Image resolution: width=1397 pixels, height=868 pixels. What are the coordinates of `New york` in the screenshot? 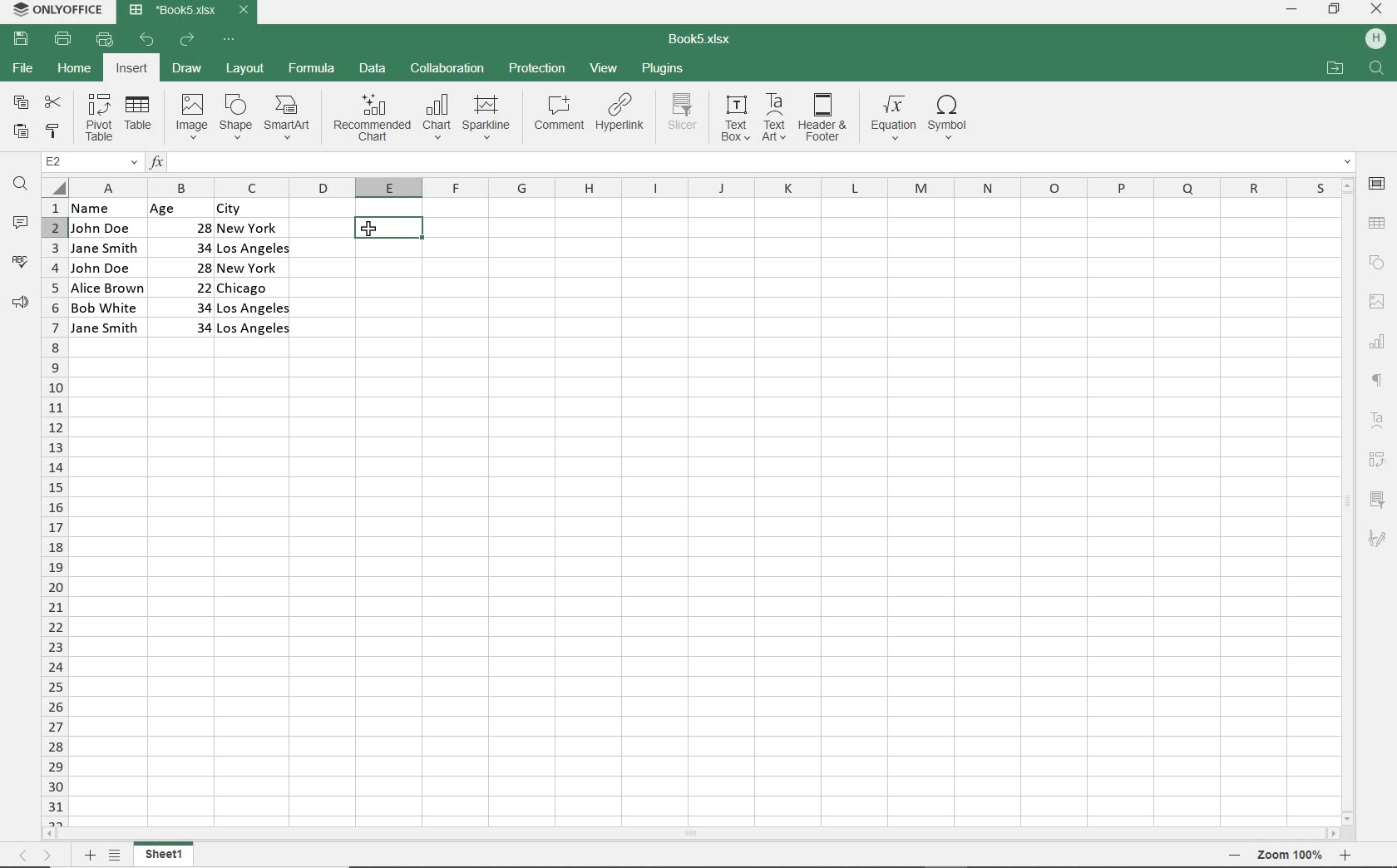 It's located at (251, 229).